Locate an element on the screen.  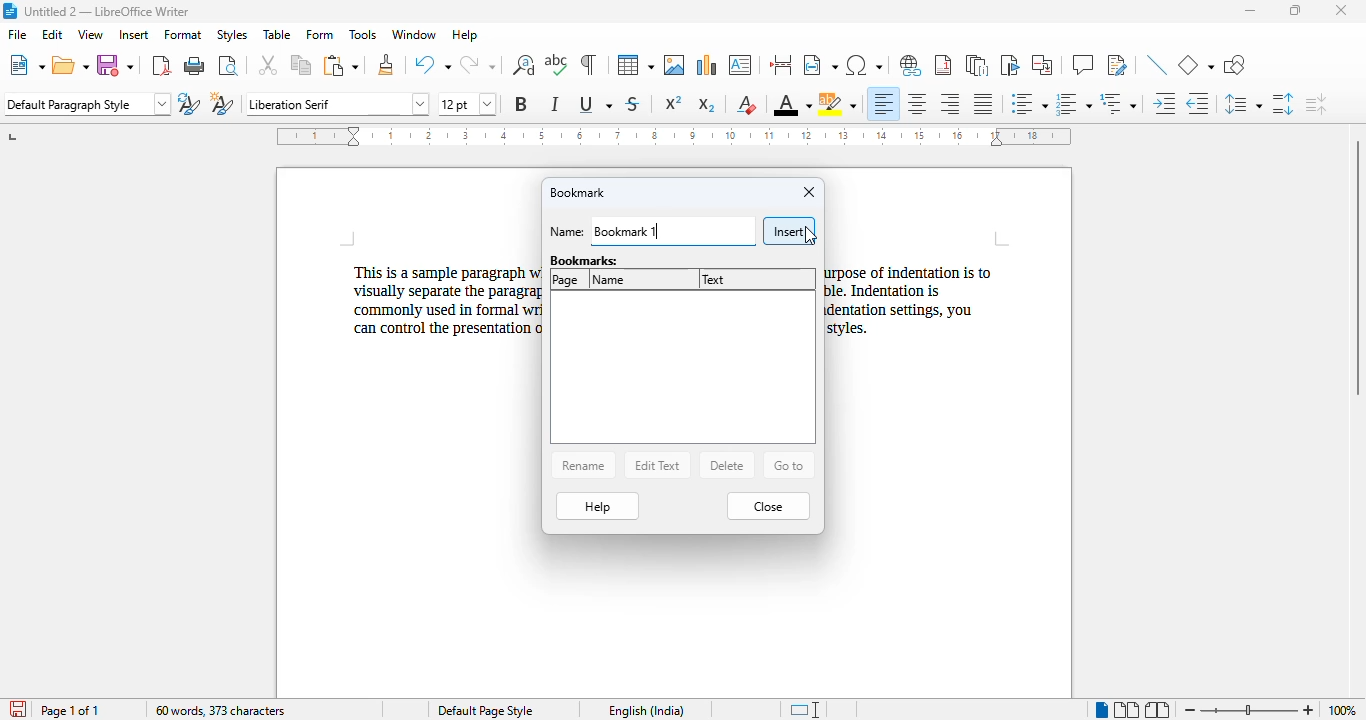
insert special characters is located at coordinates (863, 65).